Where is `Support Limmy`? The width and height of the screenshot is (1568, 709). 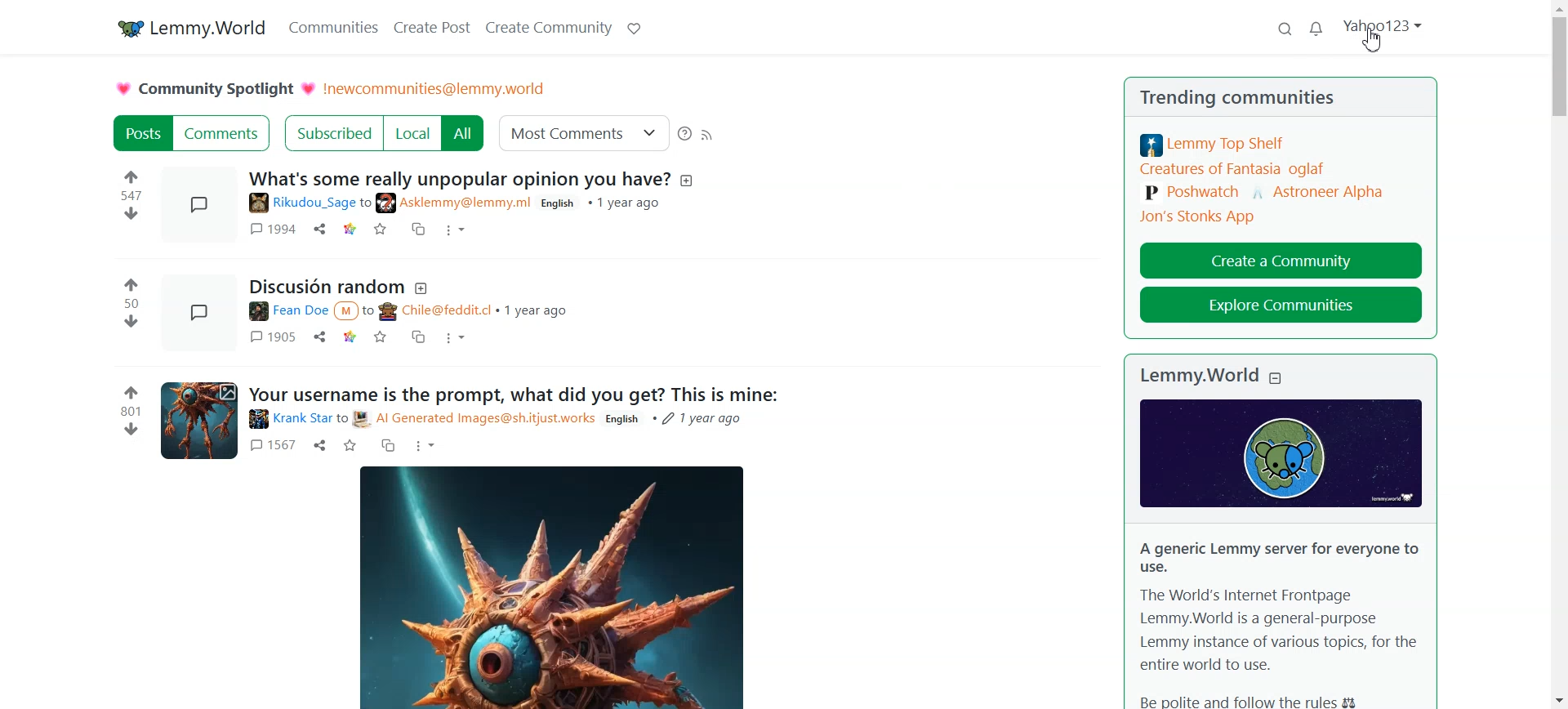
Support Limmy is located at coordinates (633, 27).